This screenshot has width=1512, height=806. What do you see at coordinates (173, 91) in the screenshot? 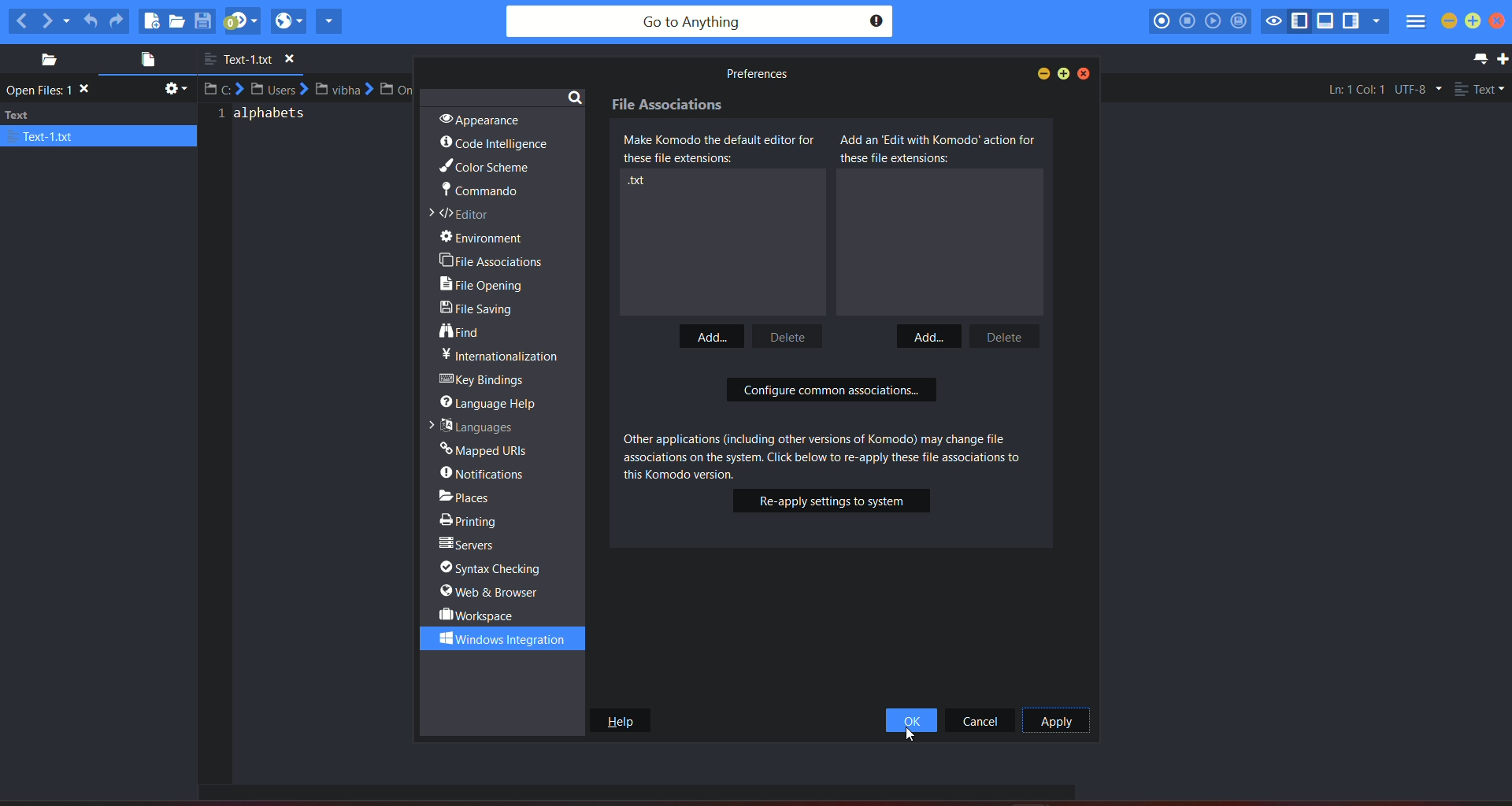
I see `settings` at bounding box center [173, 91].